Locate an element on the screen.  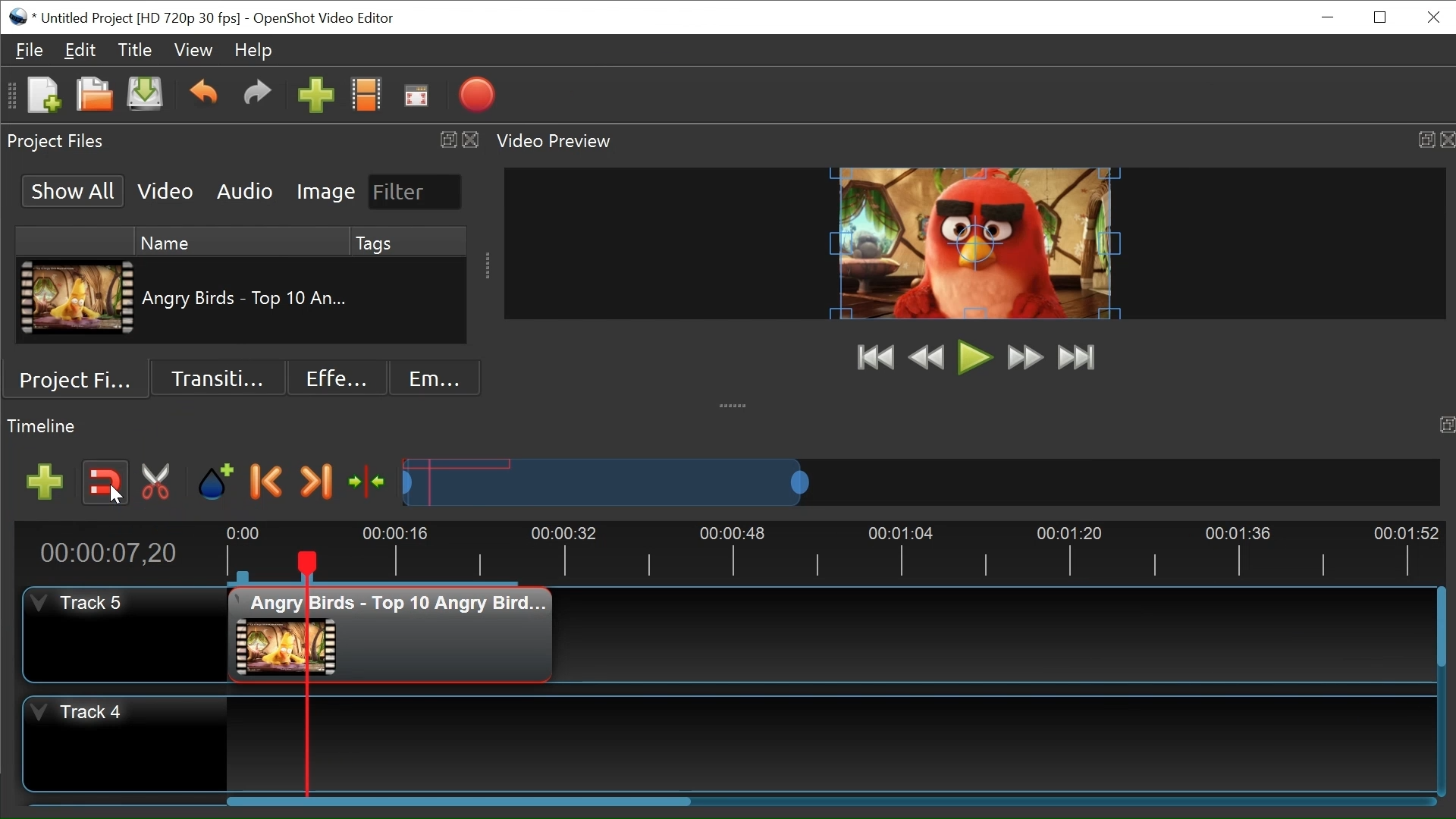
minimize is located at coordinates (1327, 17).